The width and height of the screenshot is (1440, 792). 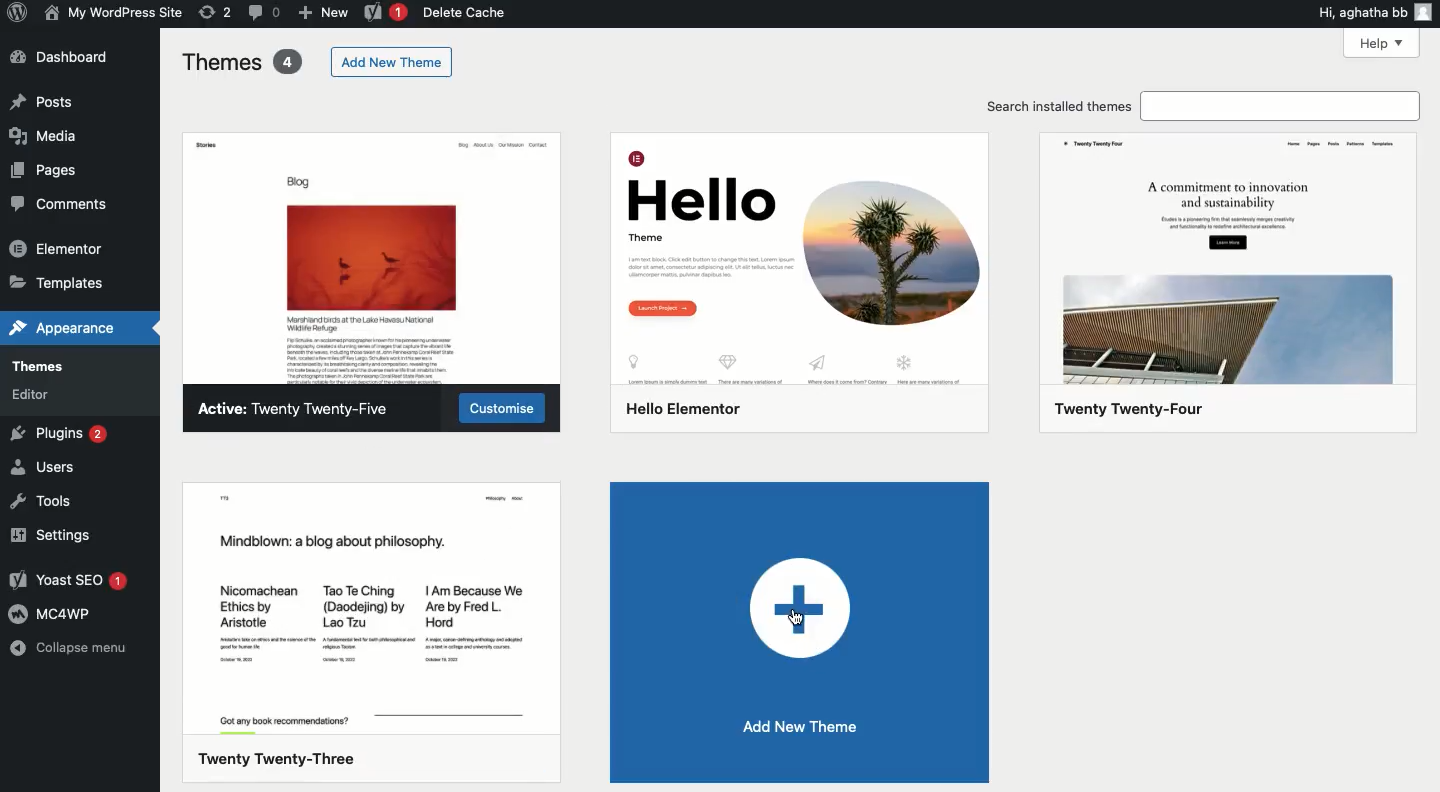 What do you see at coordinates (297, 407) in the screenshot?
I see `Active: Twenty Twenty-Five` at bounding box center [297, 407].